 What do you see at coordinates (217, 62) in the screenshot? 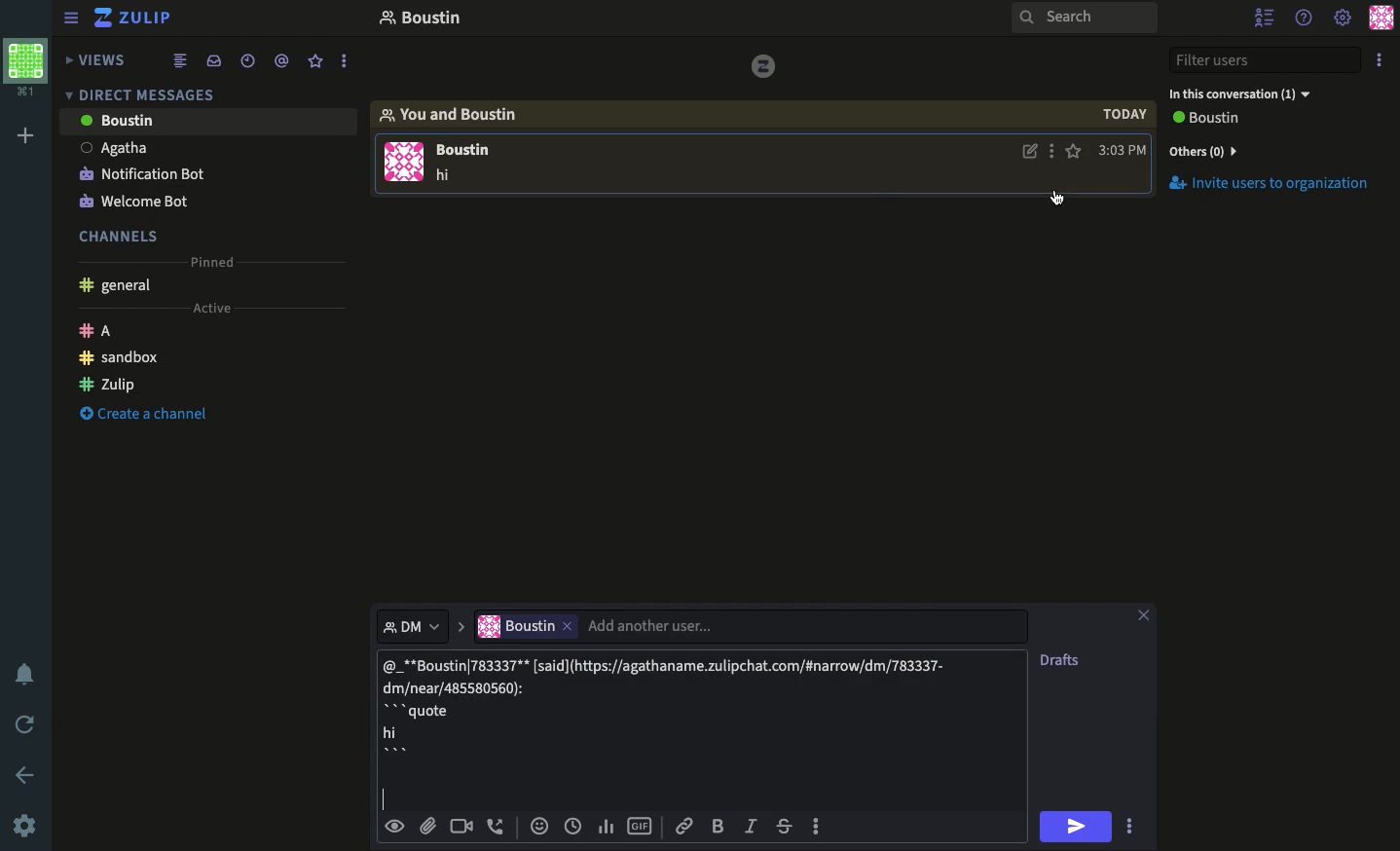
I see `Inbox` at bounding box center [217, 62].